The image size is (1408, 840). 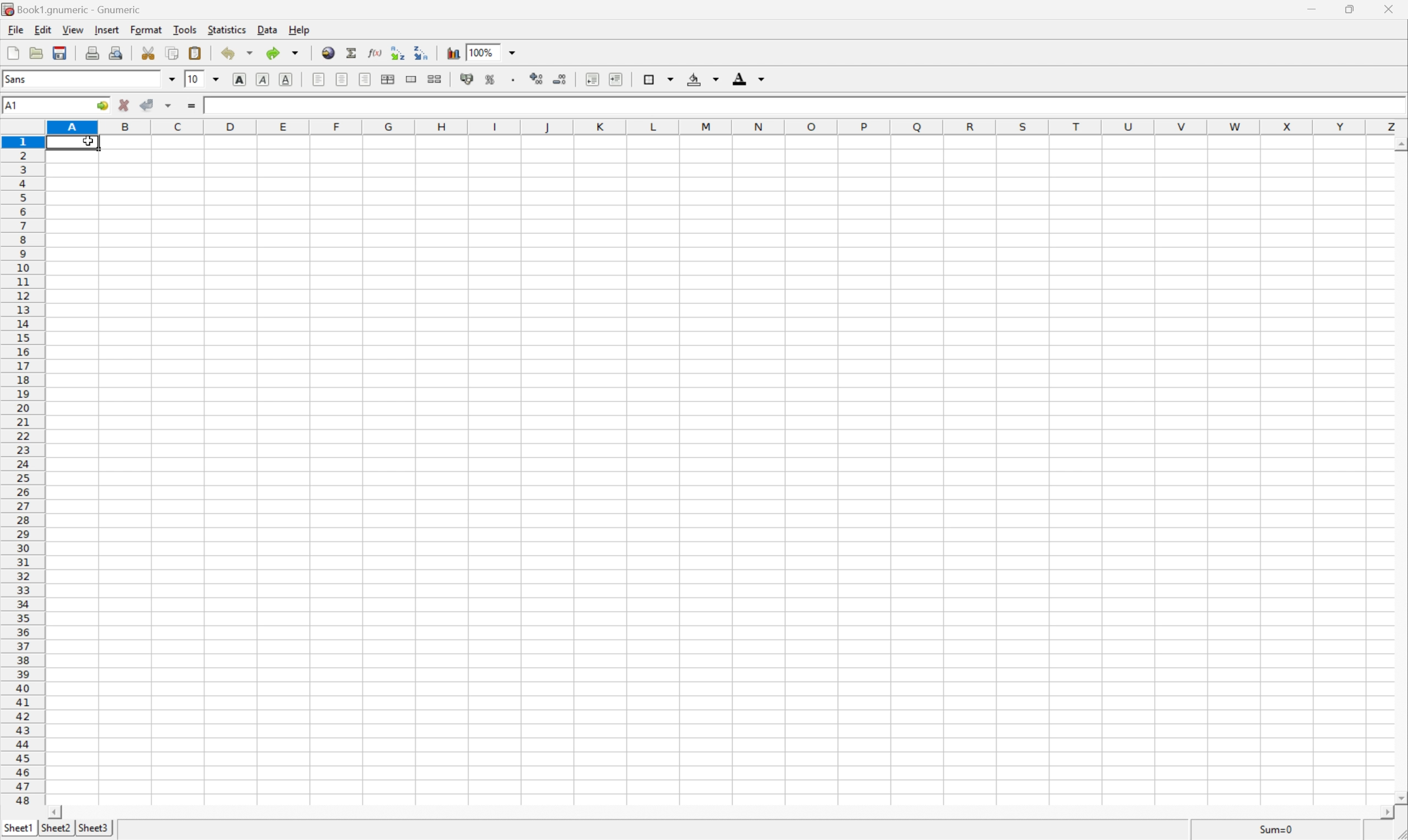 What do you see at coordinates (92, 52) in the screenshot?
I see `print` at bounding box center [92, 52].